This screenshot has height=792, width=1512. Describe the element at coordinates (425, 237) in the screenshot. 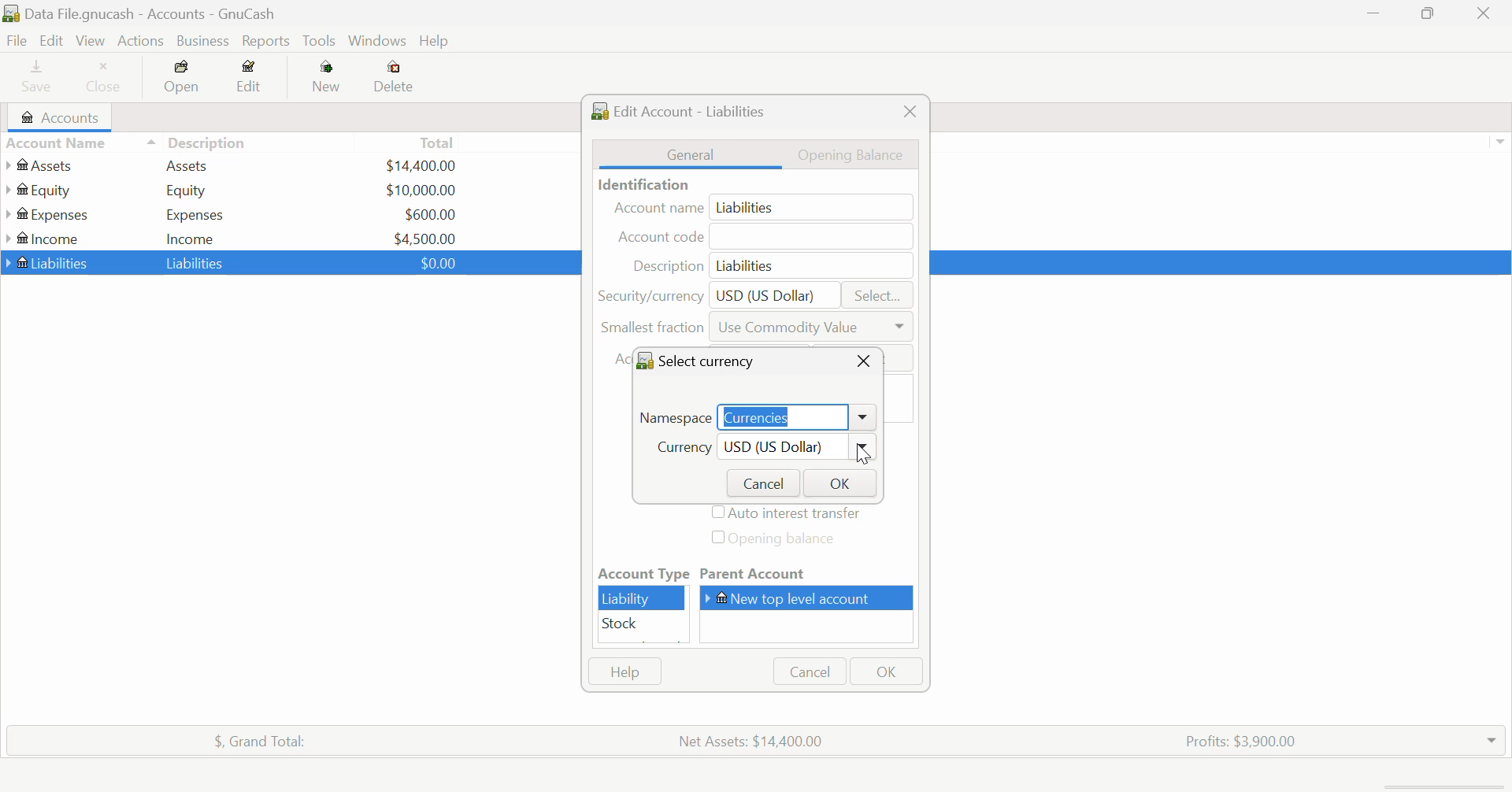

I see `USD` at that location.